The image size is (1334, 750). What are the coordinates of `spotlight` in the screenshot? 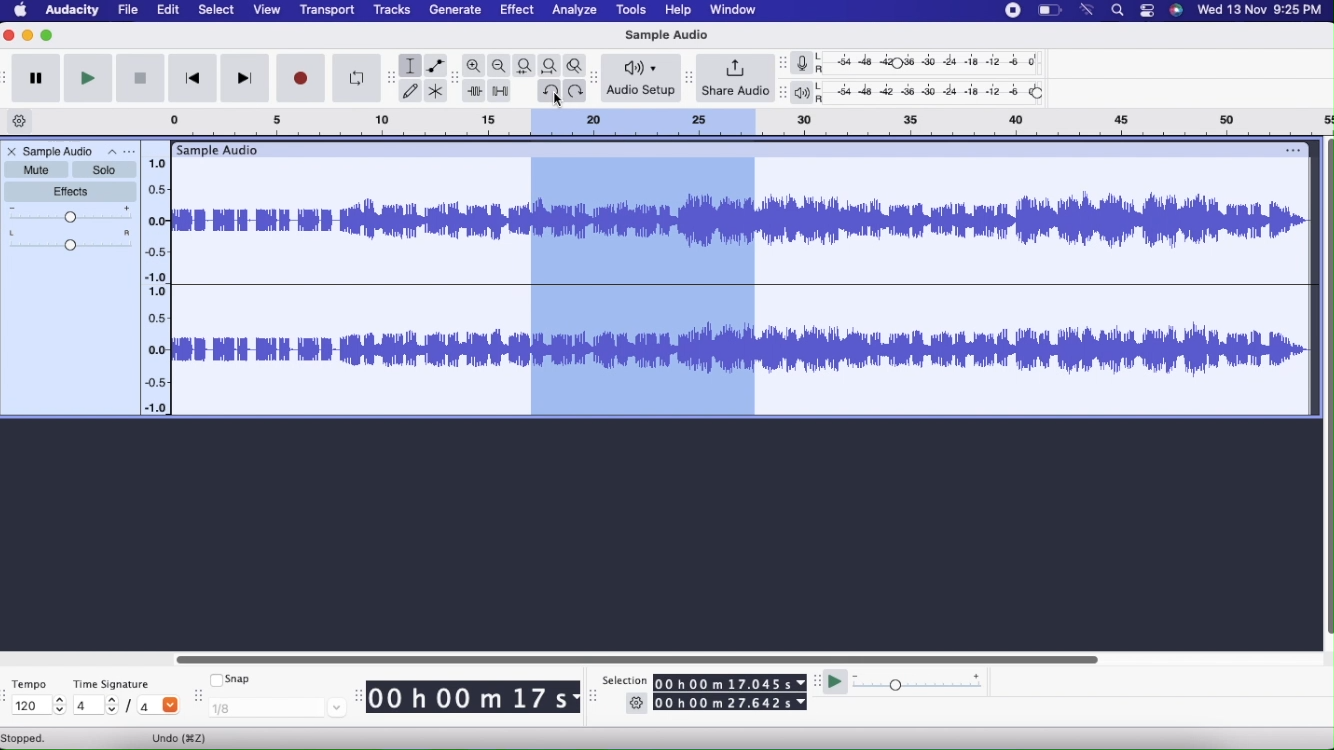 It's located at (1119, 11).